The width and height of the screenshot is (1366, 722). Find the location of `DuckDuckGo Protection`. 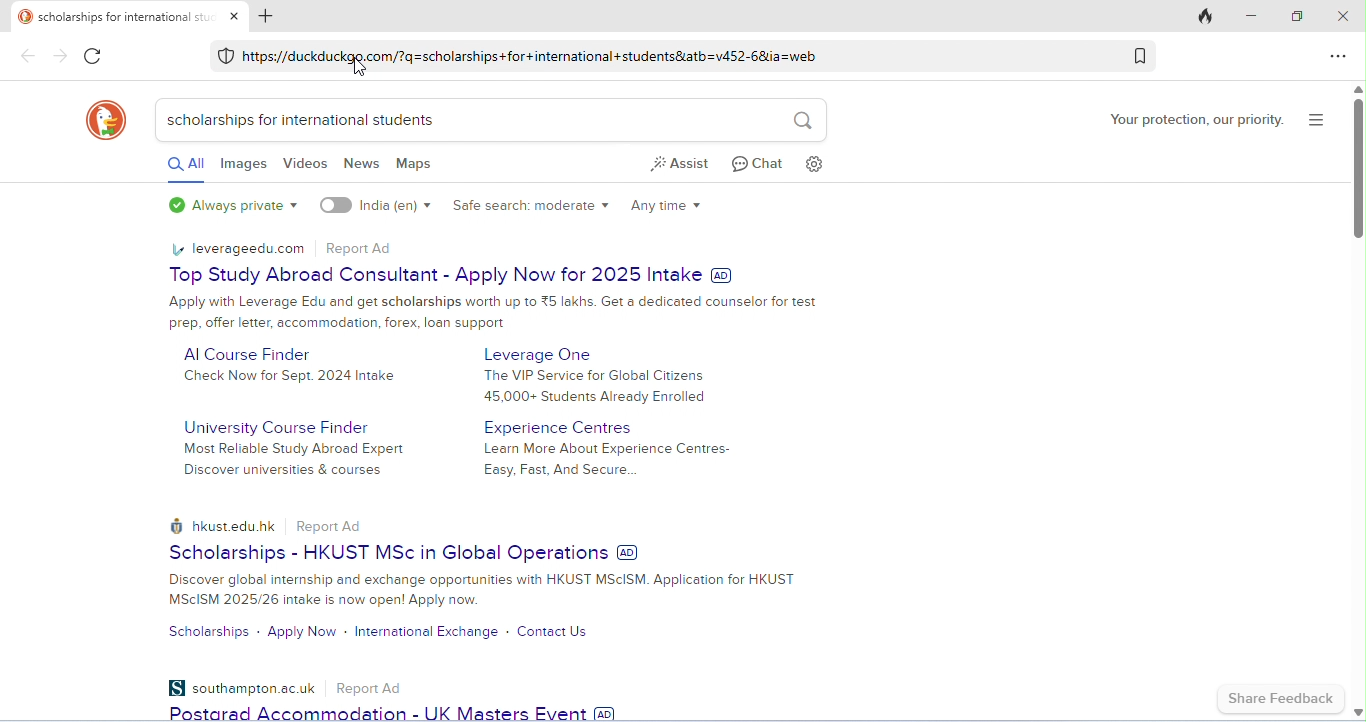

DuckDuckGo Protection is located at coordinates (223, 55).